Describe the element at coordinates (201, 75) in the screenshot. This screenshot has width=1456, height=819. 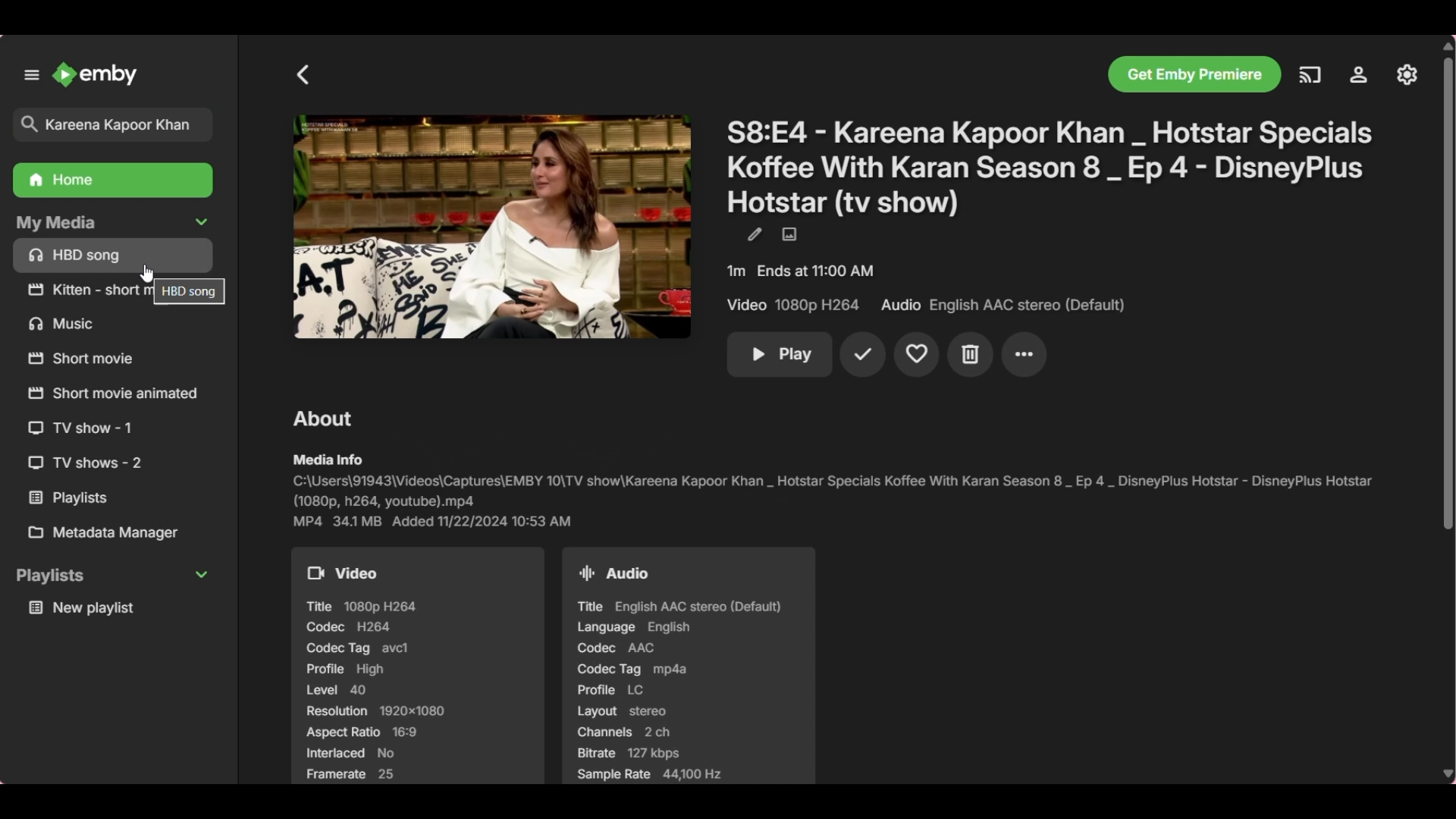
I see `Close left panel` at that location.